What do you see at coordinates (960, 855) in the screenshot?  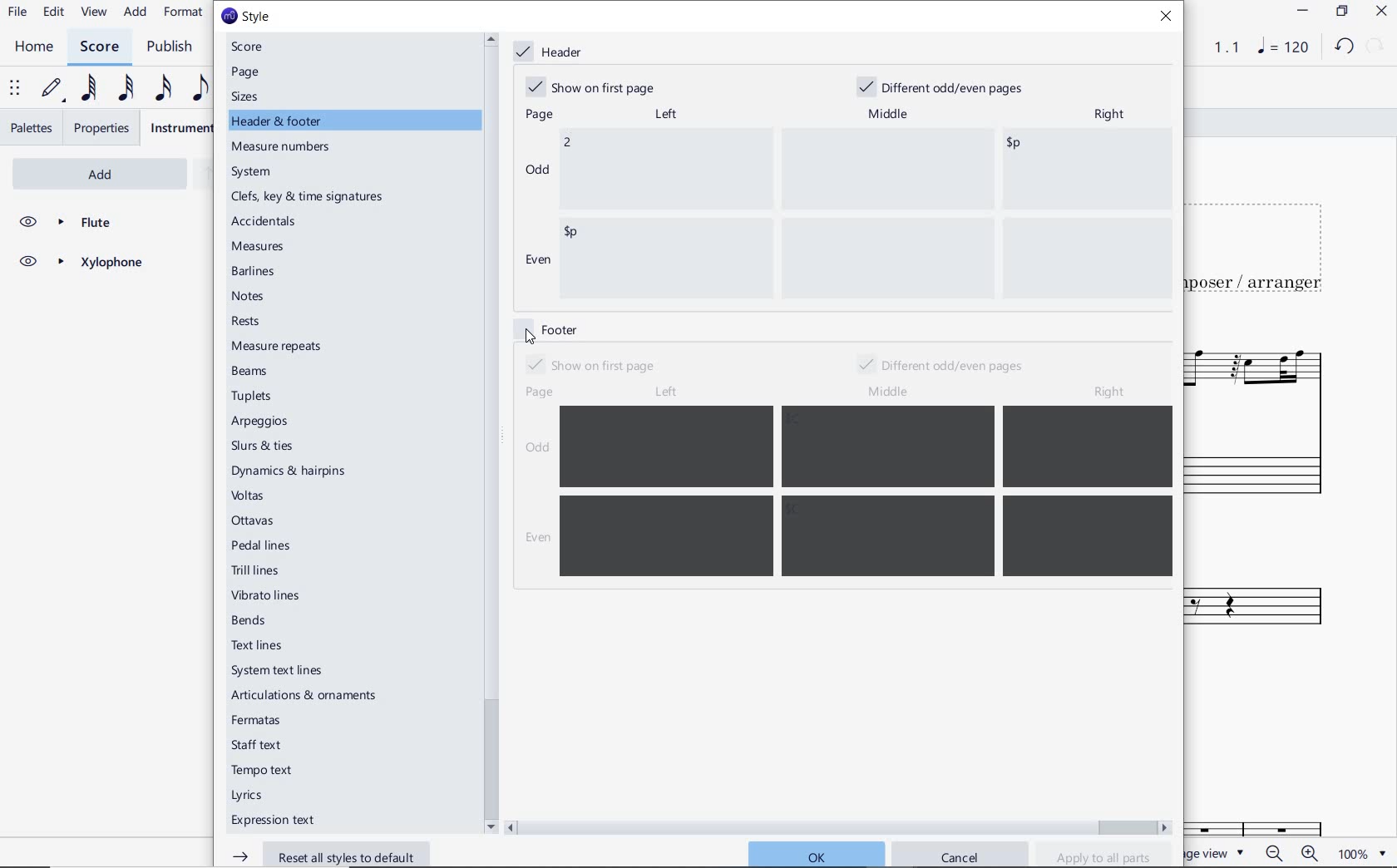 I see `cancel` at bounding box center [960, 855].